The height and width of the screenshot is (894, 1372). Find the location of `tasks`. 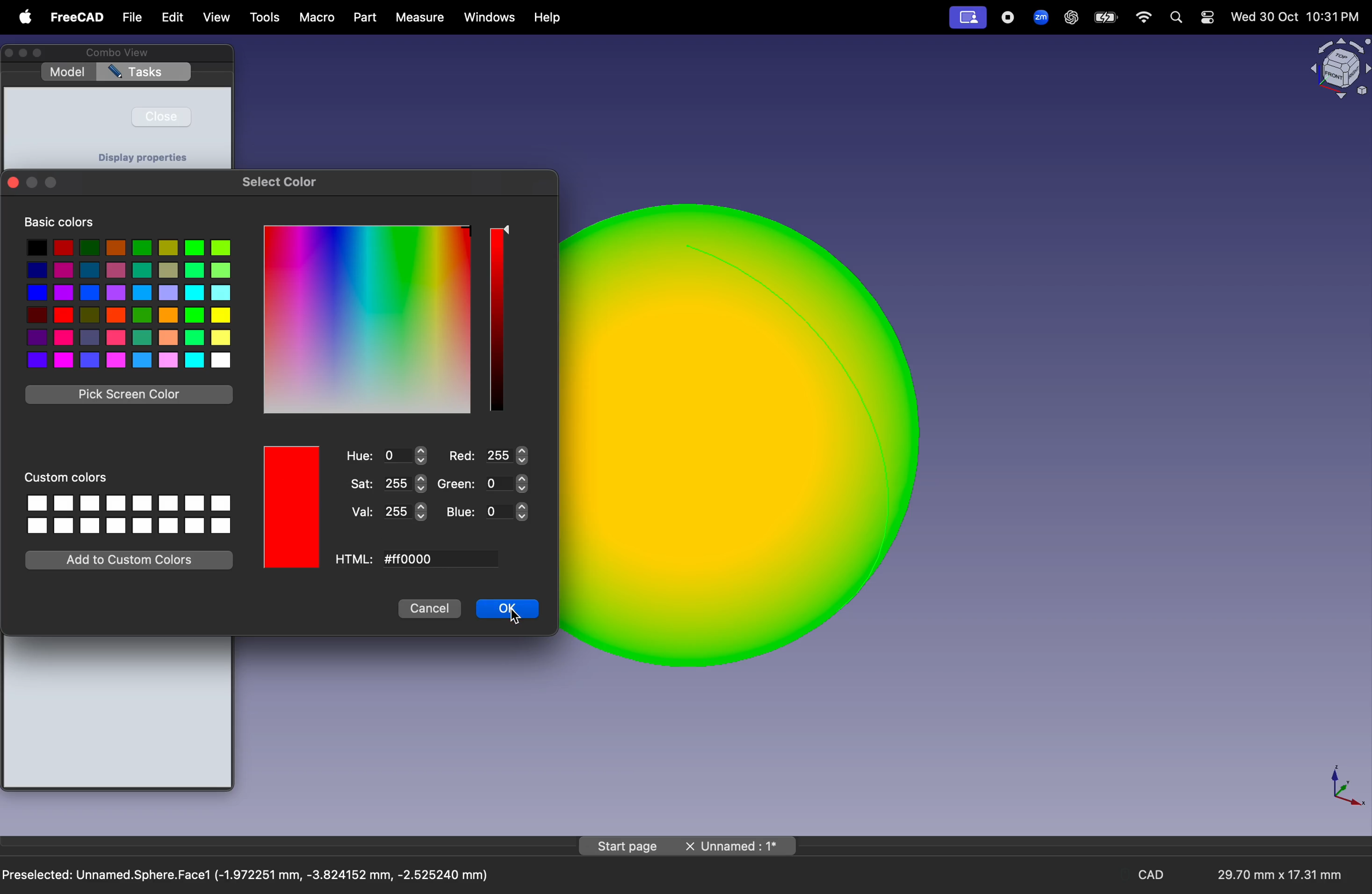

tasks is located at coordinates (144, 73).